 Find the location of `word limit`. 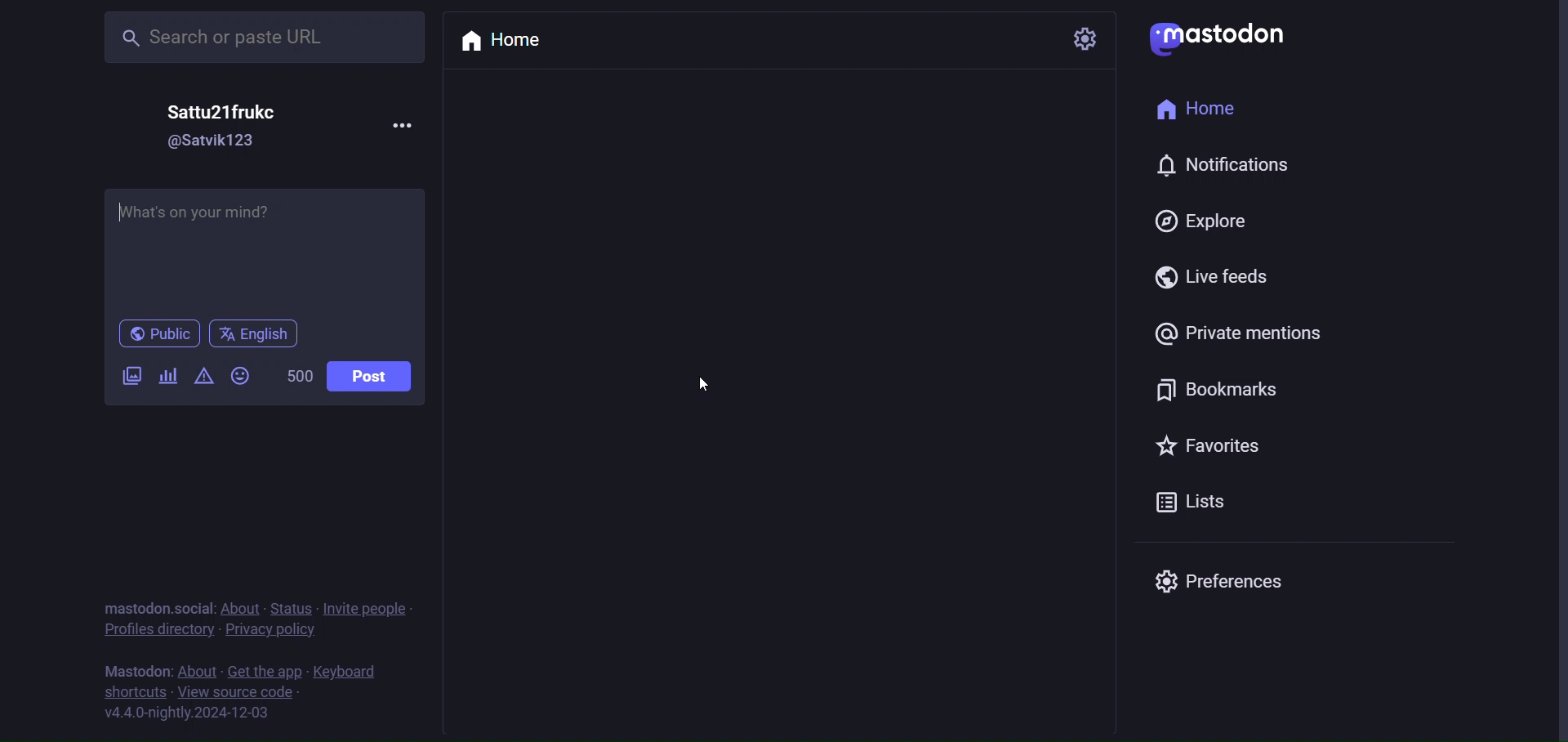

word limit is located at coordinates (299, 377).